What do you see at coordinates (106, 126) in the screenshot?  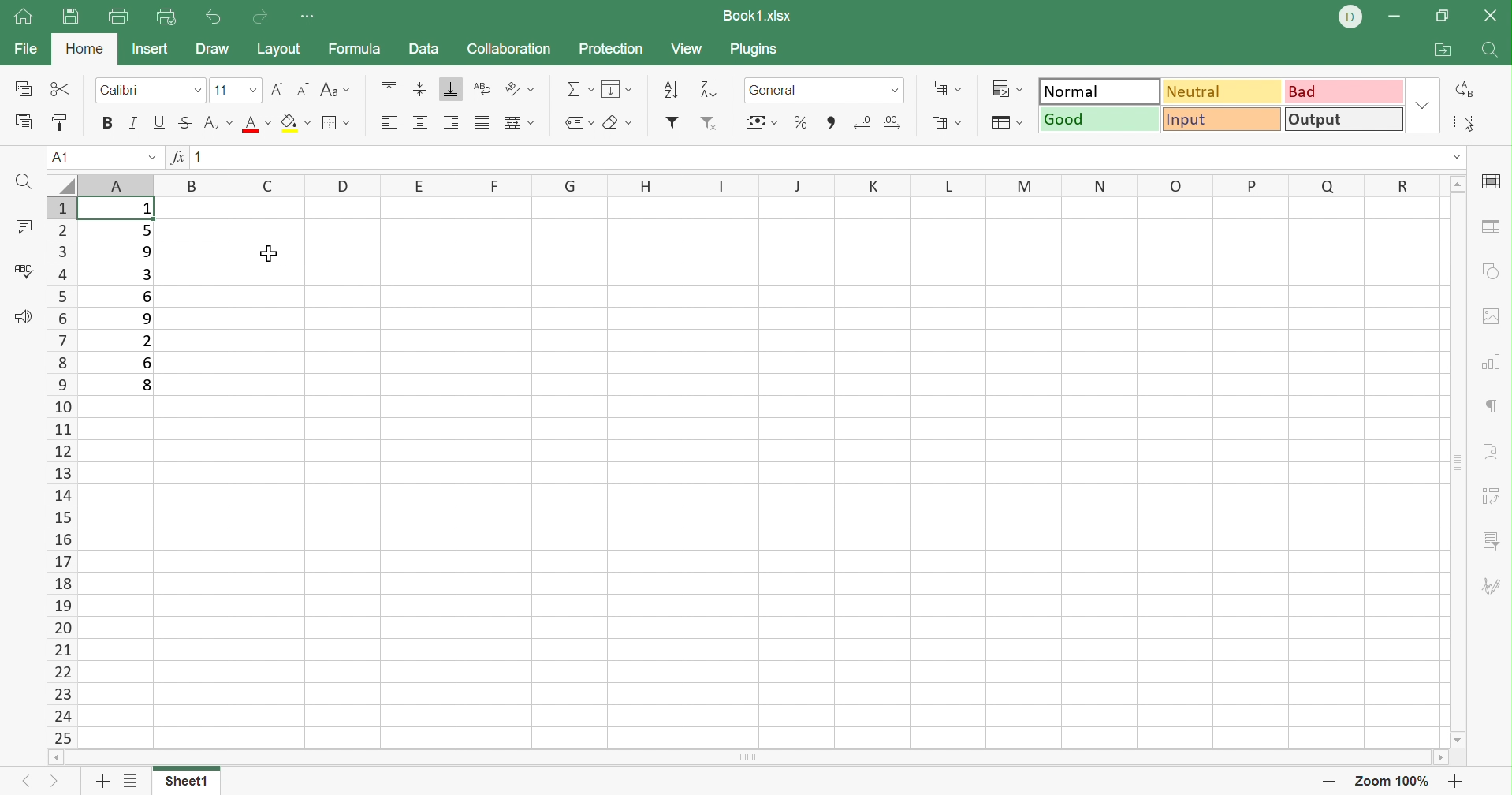 I see `Bold` at bounding box center [106, 126].